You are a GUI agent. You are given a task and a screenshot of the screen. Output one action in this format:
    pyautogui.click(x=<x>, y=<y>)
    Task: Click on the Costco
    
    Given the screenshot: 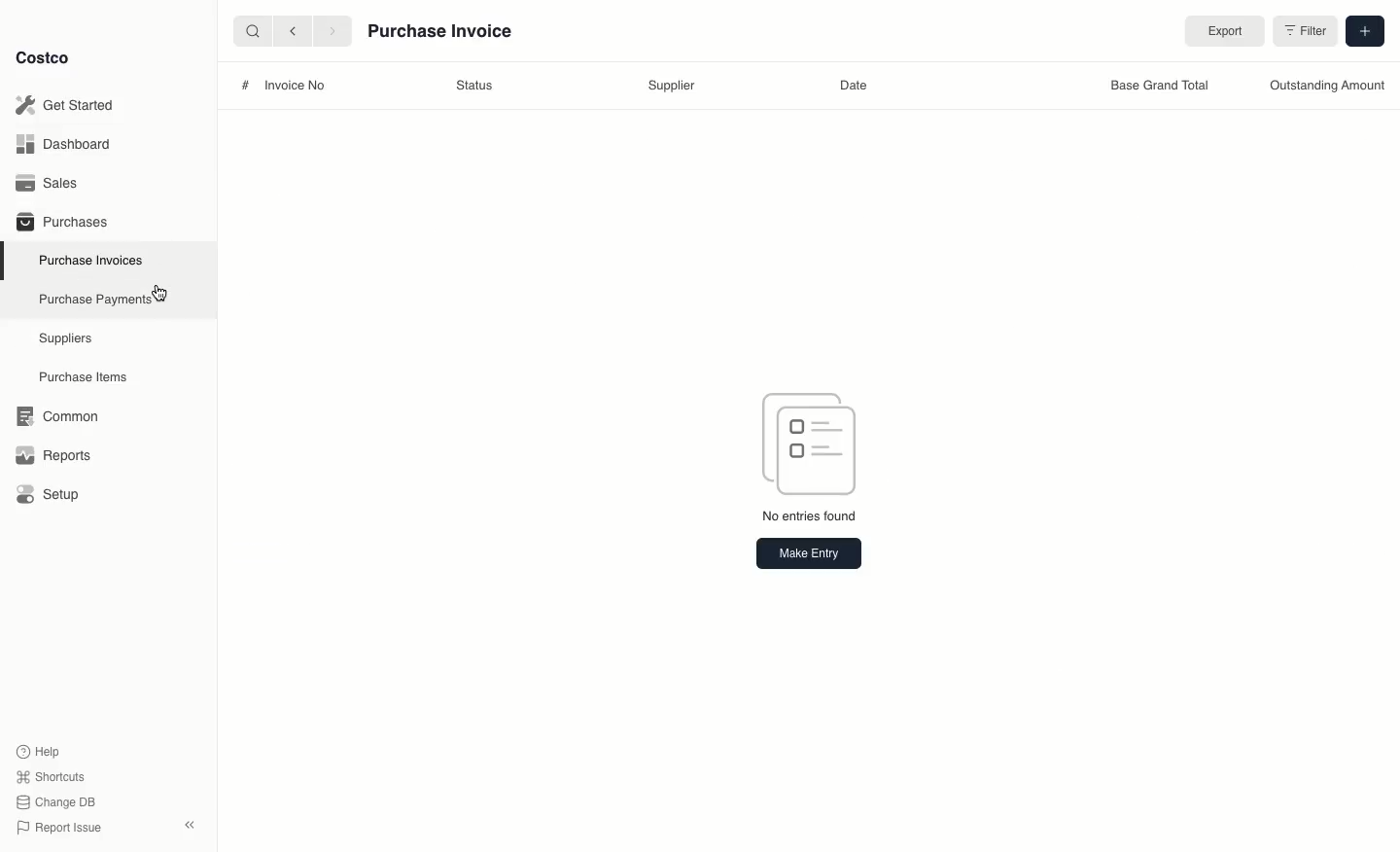 What is the action you would take?
    pyautogui.click(x=42, y=57)
    